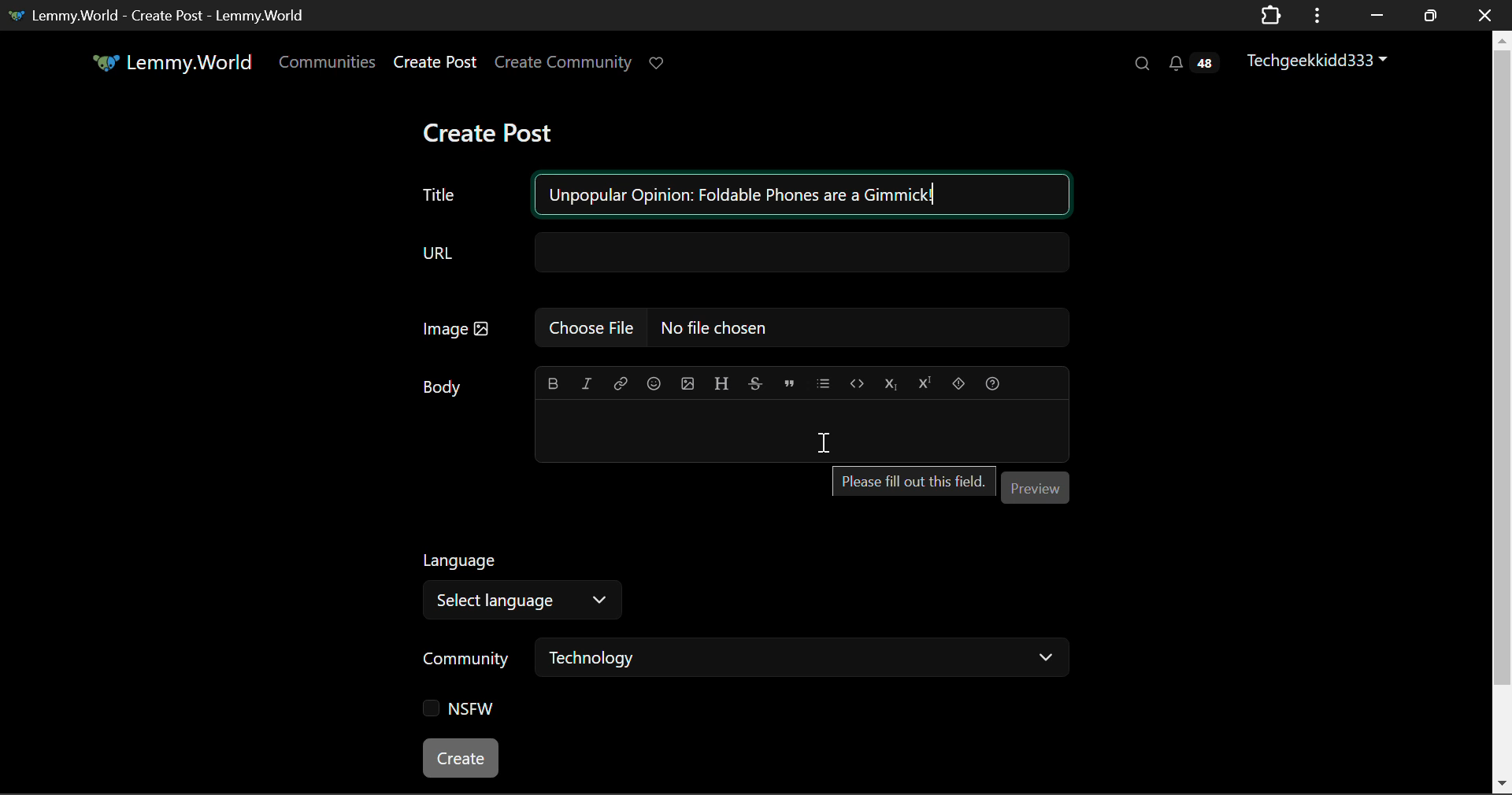  What do you see at coordinates (959, 381) in the screenshot?
I see `spoiler` at bounding box center [959, 381].